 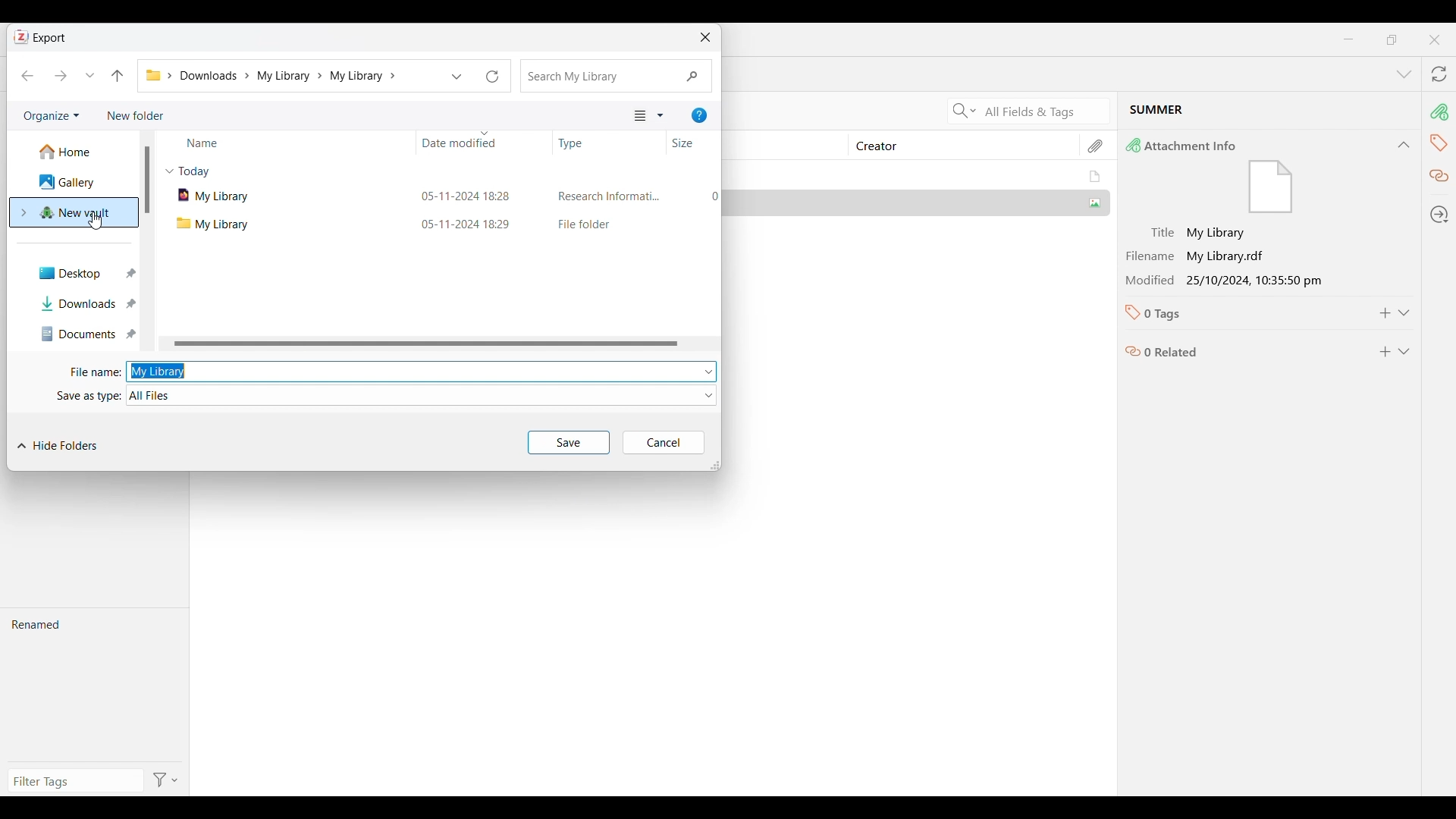 What do you see at coordinates (1097, 146) in the screenshot?
I see `Attachments` at bounding box center [1097, 146].